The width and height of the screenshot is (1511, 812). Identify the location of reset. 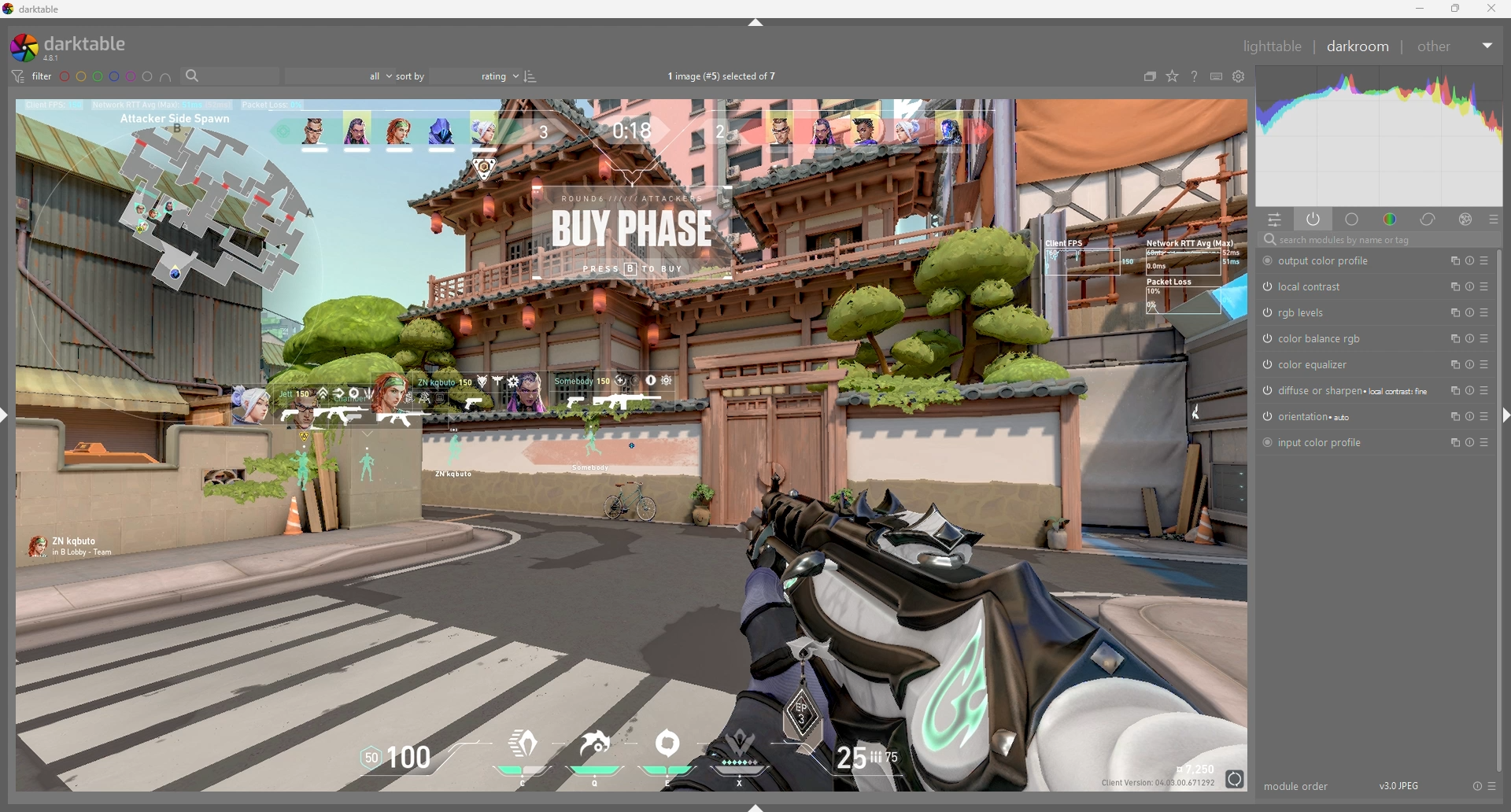
(1470, 442).